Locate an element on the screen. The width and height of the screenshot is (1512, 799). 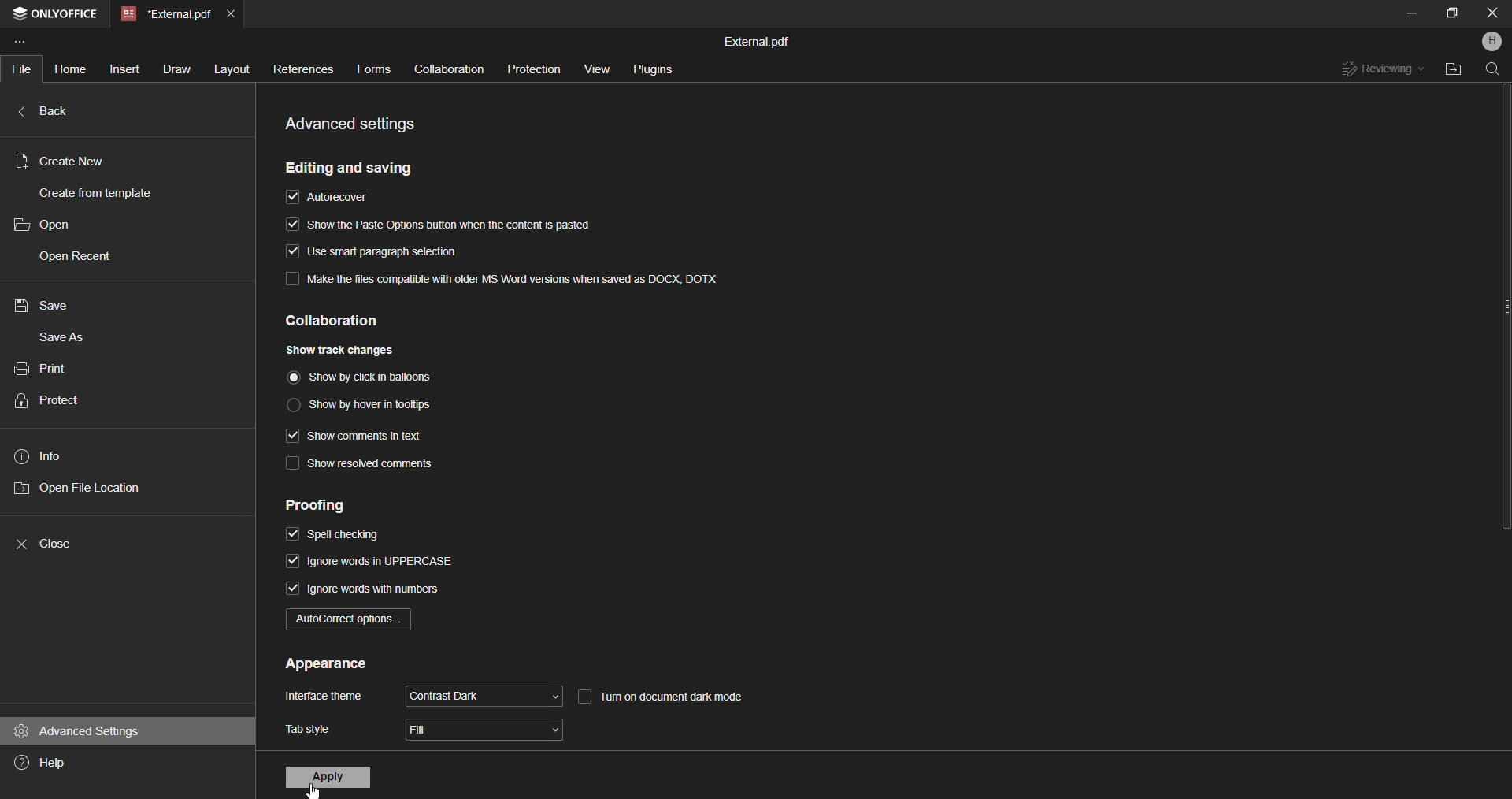
save is located at coordinates (42, 306).